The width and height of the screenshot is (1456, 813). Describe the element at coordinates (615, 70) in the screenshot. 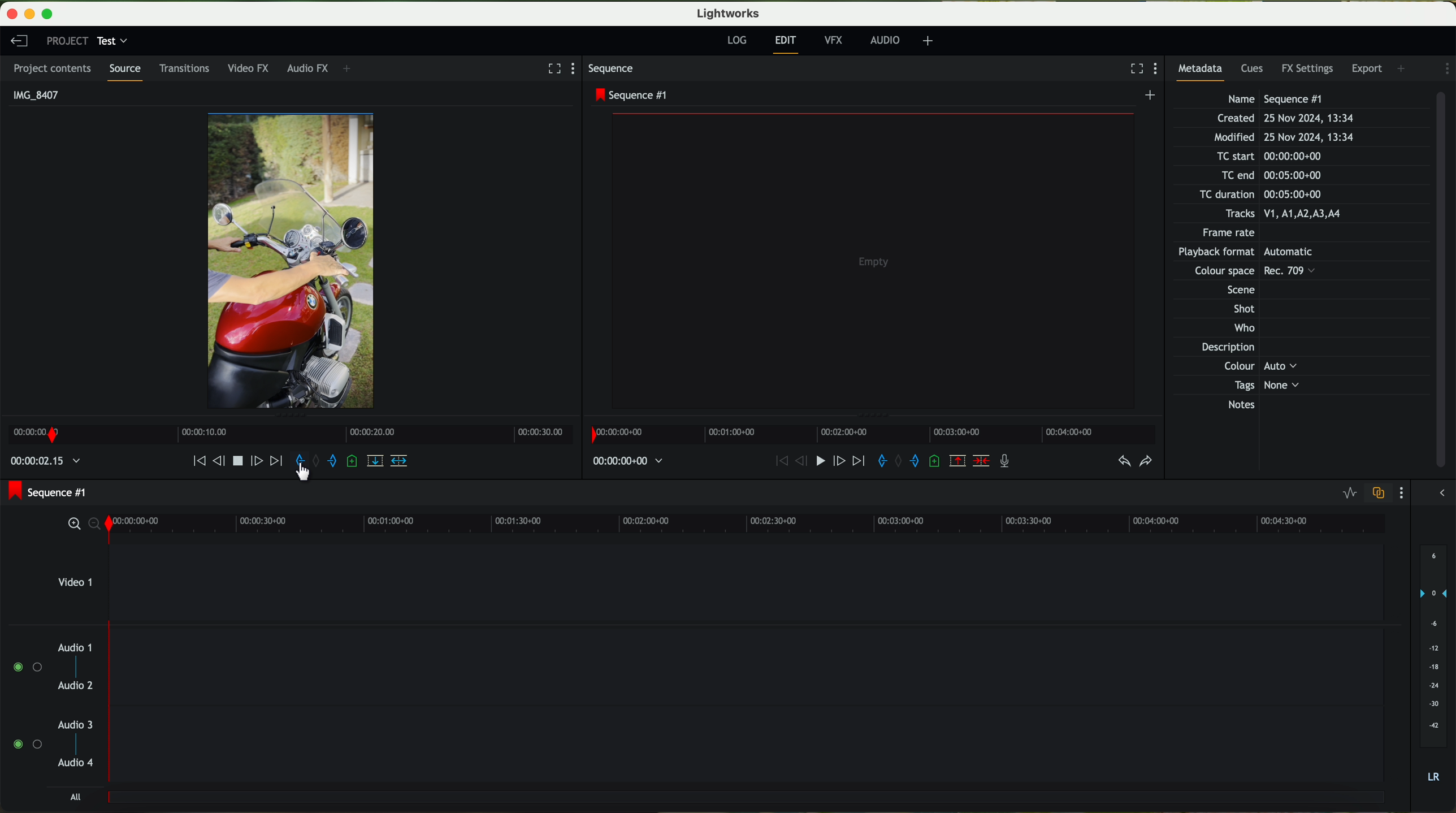

I see `sequence` at that location.